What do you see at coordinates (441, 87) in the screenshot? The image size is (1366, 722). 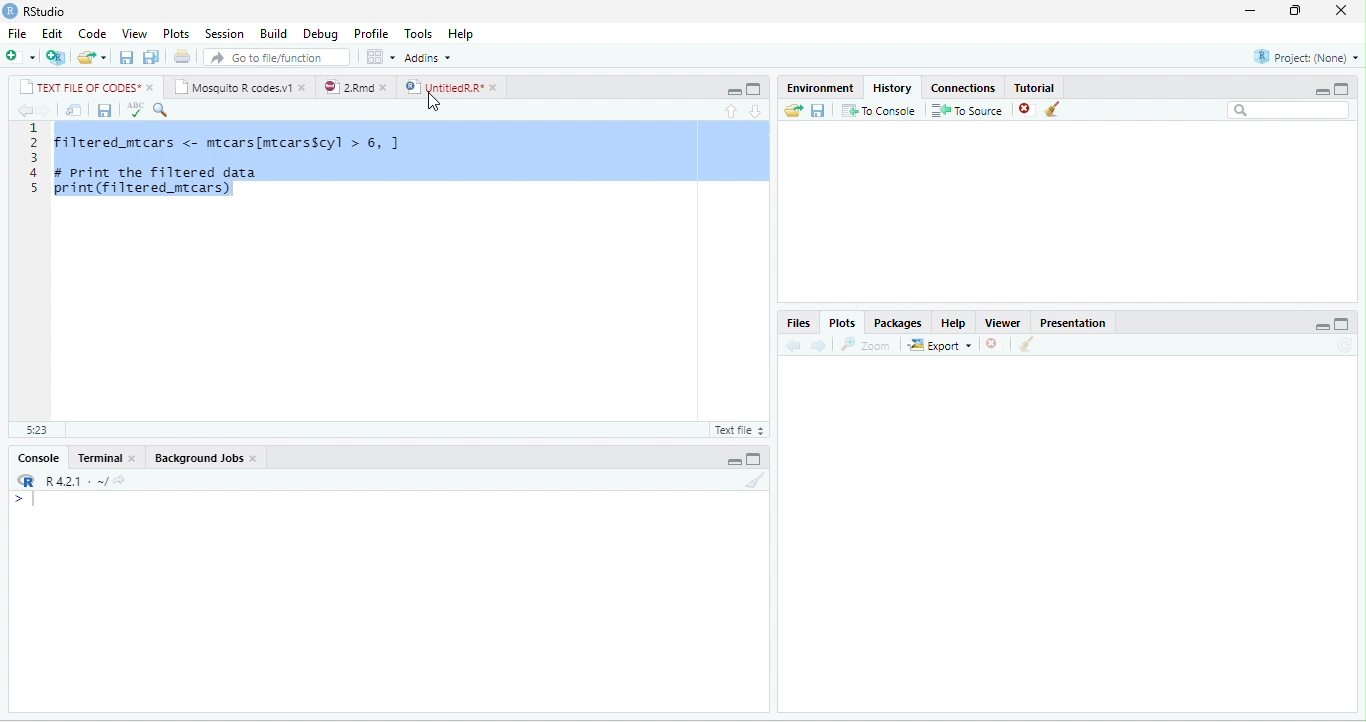 I see `UntitledR.R` at bounding box center [441, 87].